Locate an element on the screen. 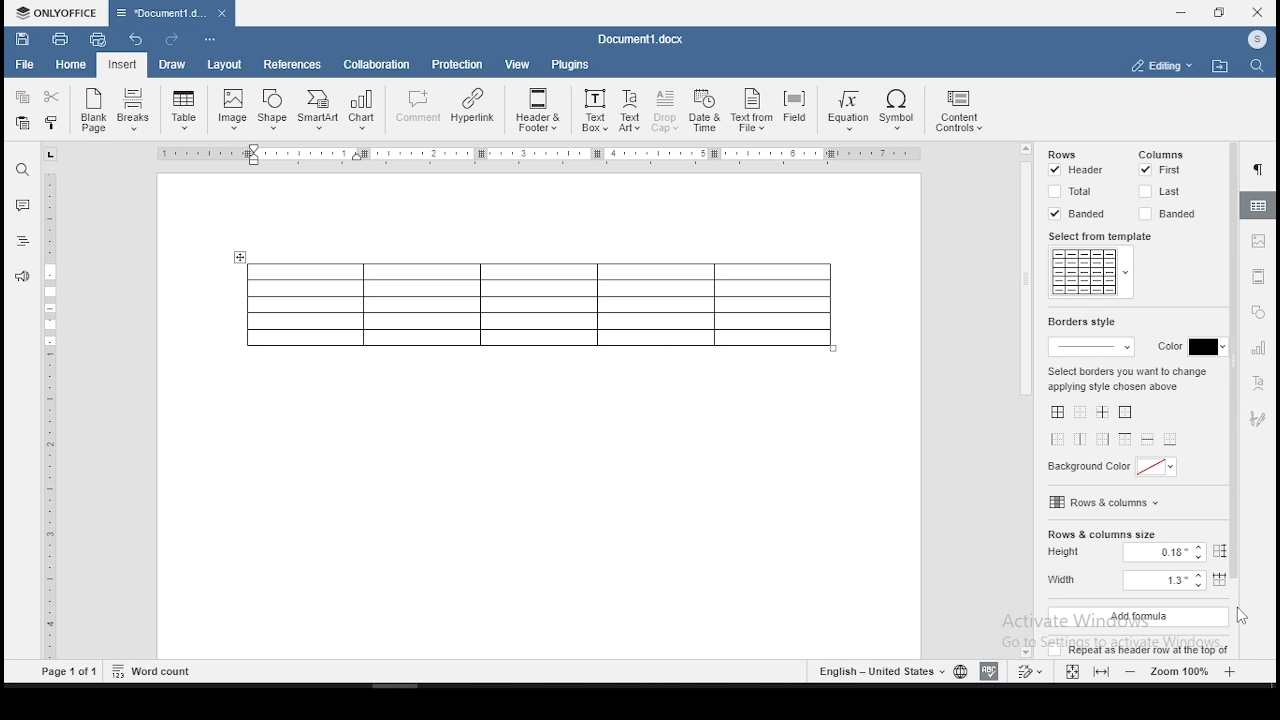 The height and width of the screenshot is (720, 1280). columns is located at coordinates (1162, 154).